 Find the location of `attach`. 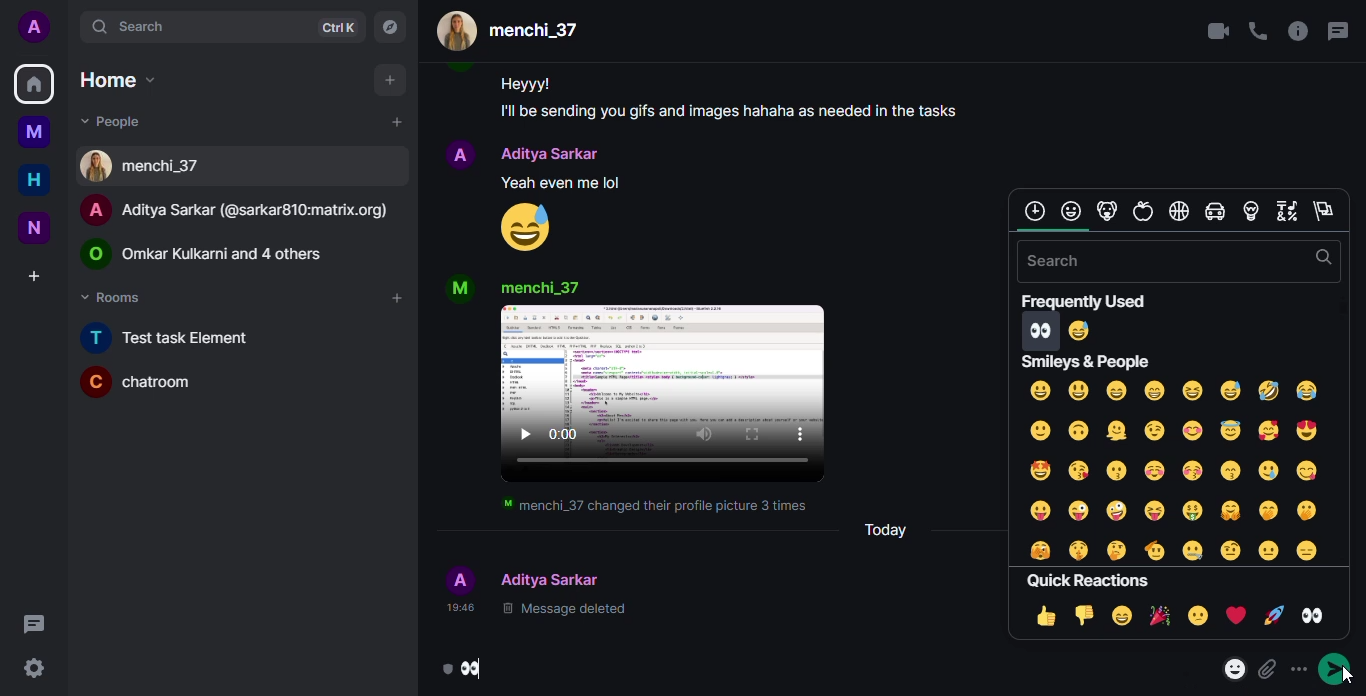

attach is located at coordinates (1271, 670).